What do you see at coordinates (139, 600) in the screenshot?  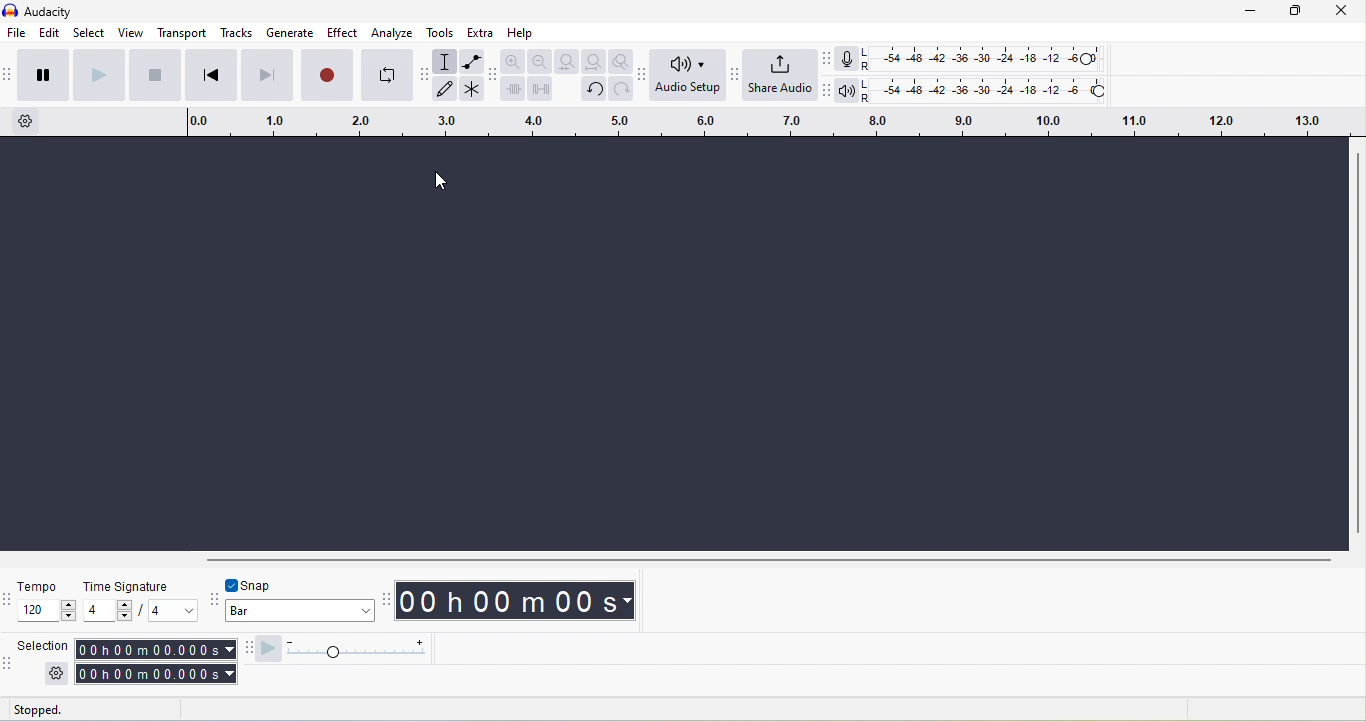 I see `time signature` at bounding box center [139, 600].